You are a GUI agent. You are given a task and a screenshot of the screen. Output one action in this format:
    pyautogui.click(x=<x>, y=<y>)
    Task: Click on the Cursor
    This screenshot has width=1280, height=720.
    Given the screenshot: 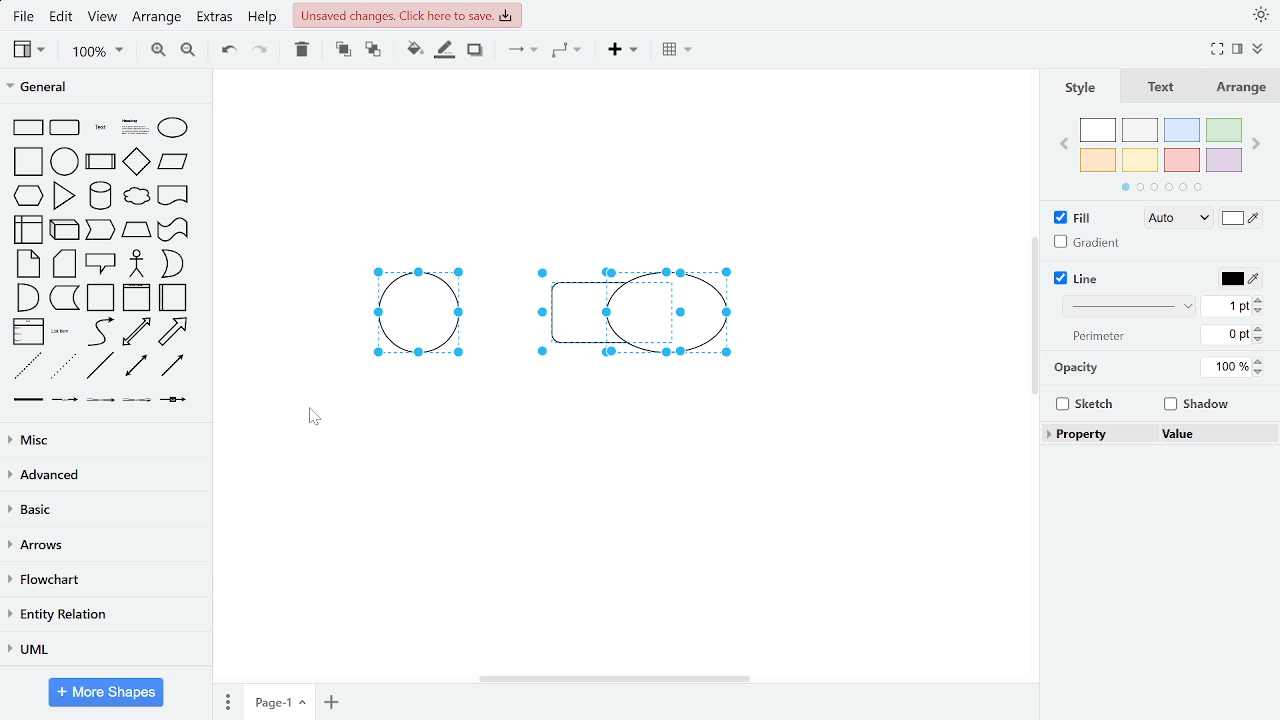 What is the action you would take?
    pyautogui.click(x=314, y=417)
    